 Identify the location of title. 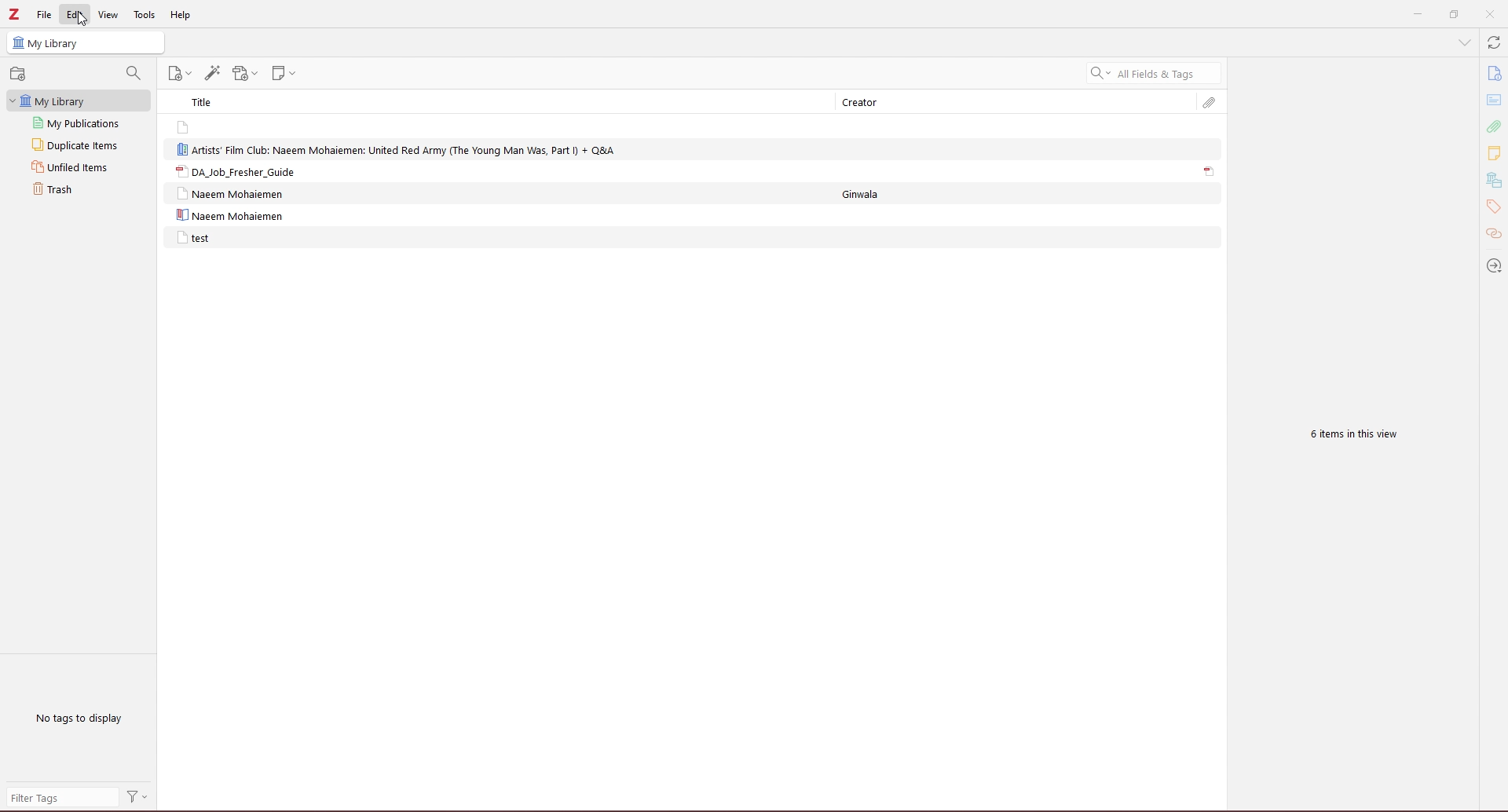
(207, 101).